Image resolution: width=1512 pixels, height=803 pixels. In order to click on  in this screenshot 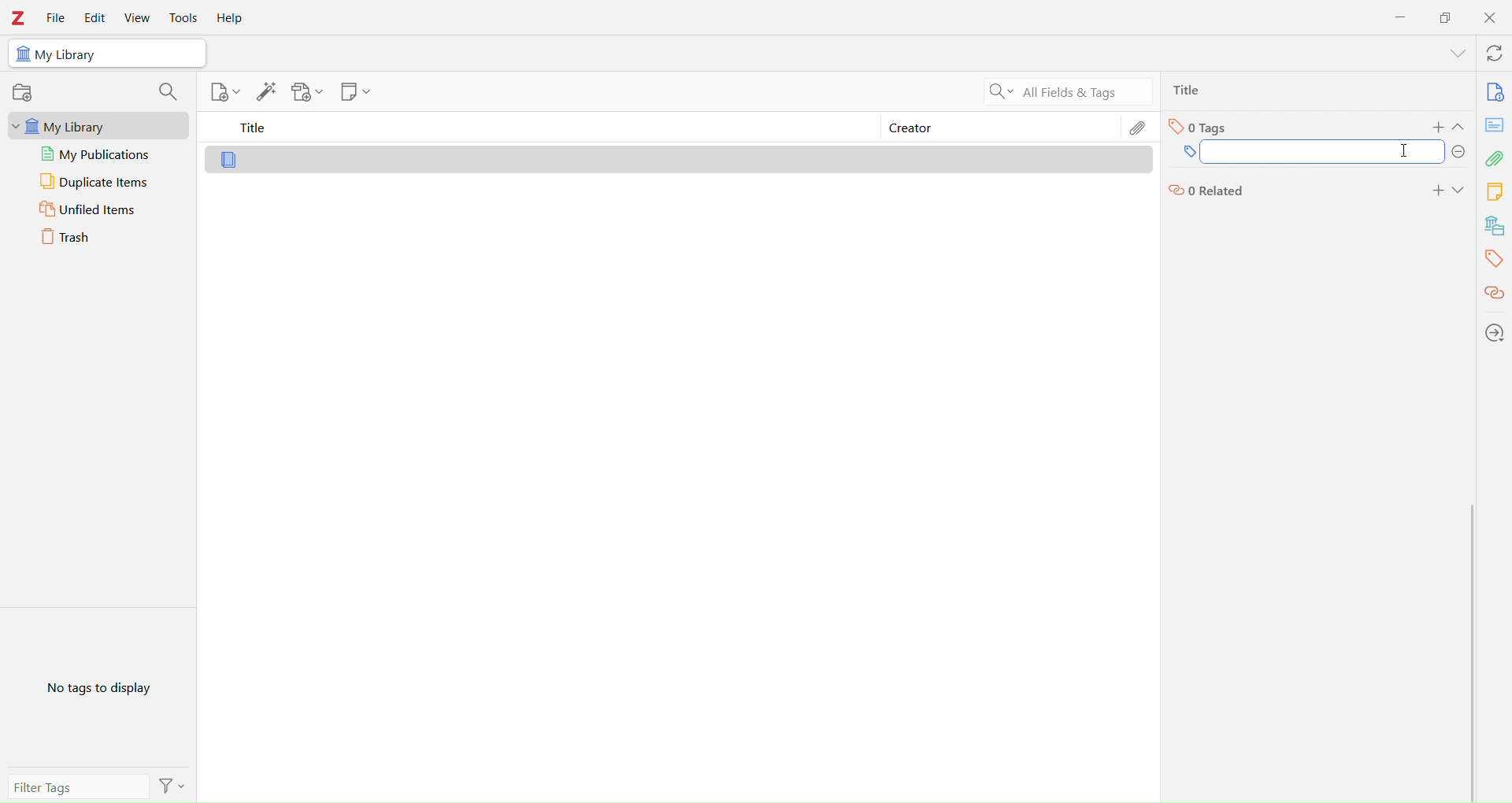, I will do `click(1406, 17)`.